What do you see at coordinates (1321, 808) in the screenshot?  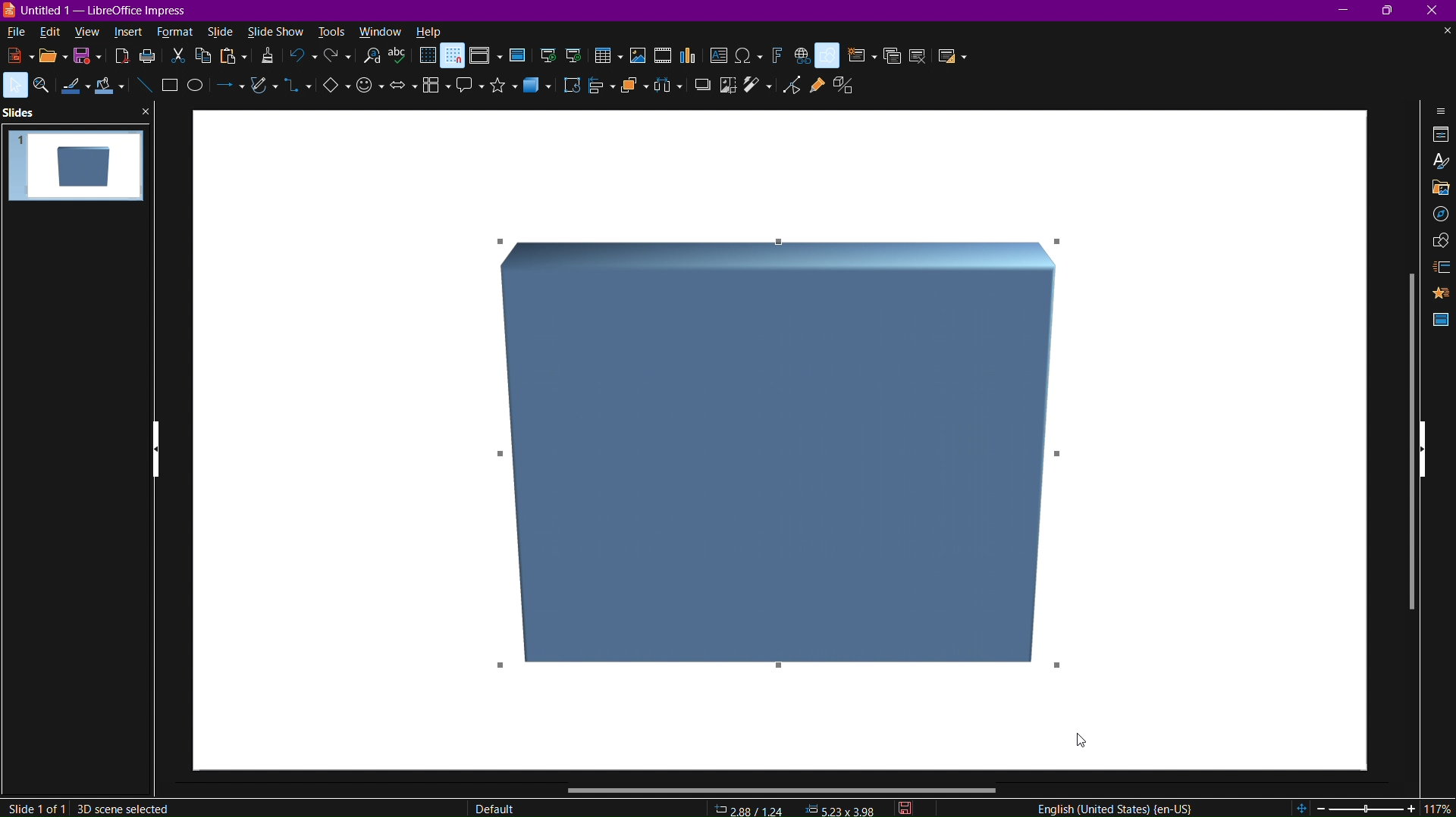 I see `zoom out` at bounding box center [1321, 808].